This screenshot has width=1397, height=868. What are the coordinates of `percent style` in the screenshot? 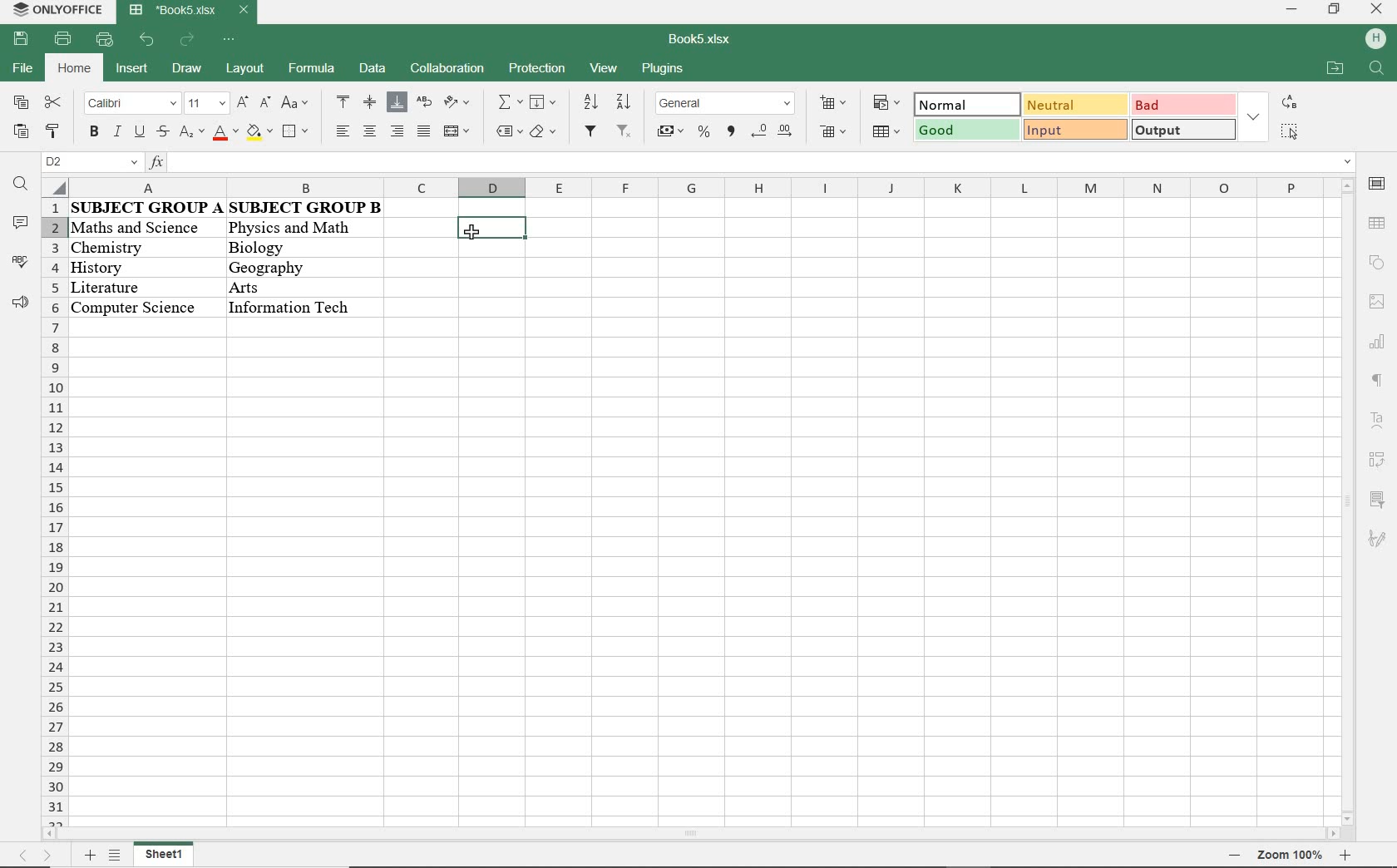 It's located at (705, 133).